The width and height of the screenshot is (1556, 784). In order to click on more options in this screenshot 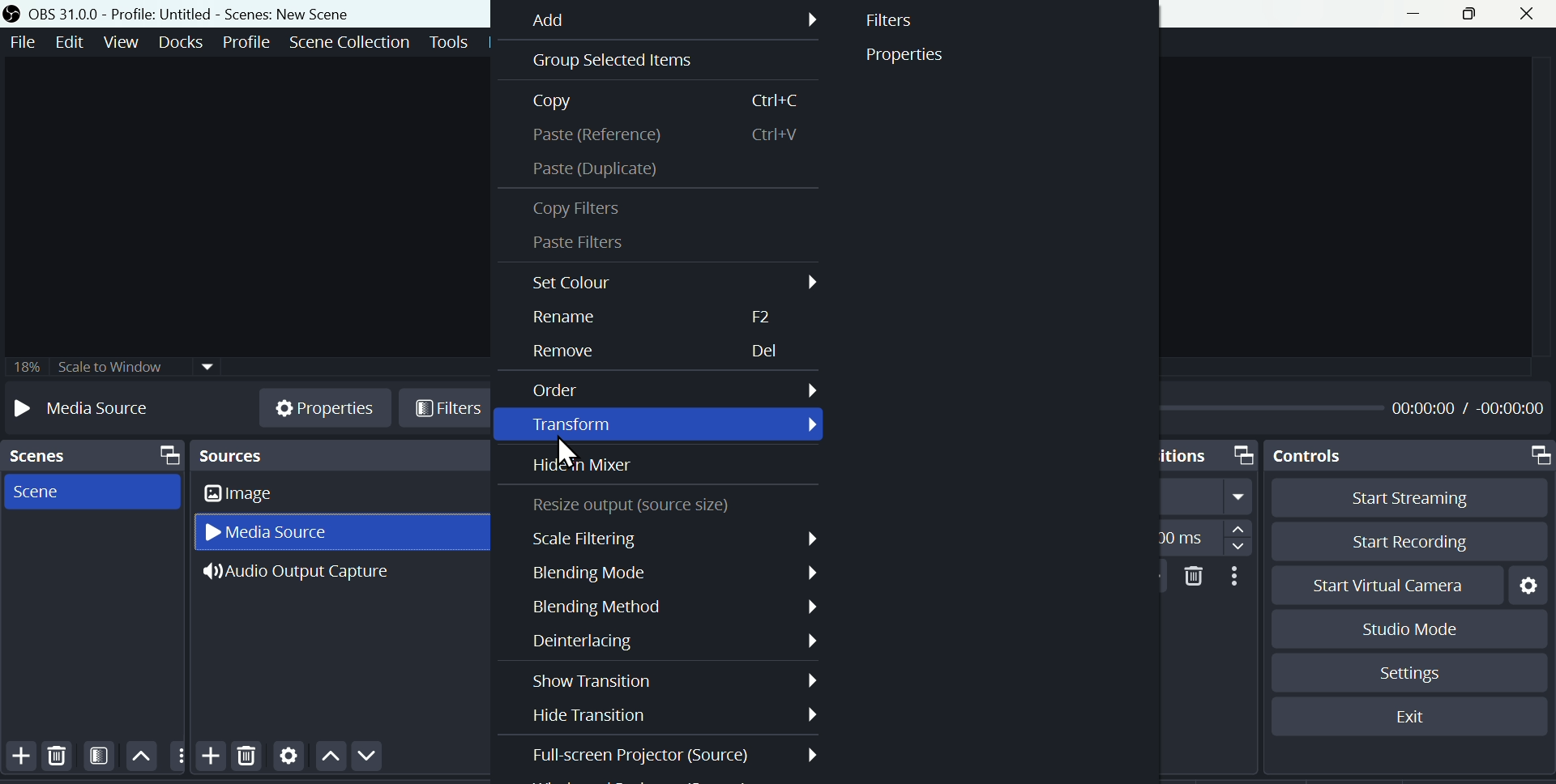, I will do `click(177, 755)`.